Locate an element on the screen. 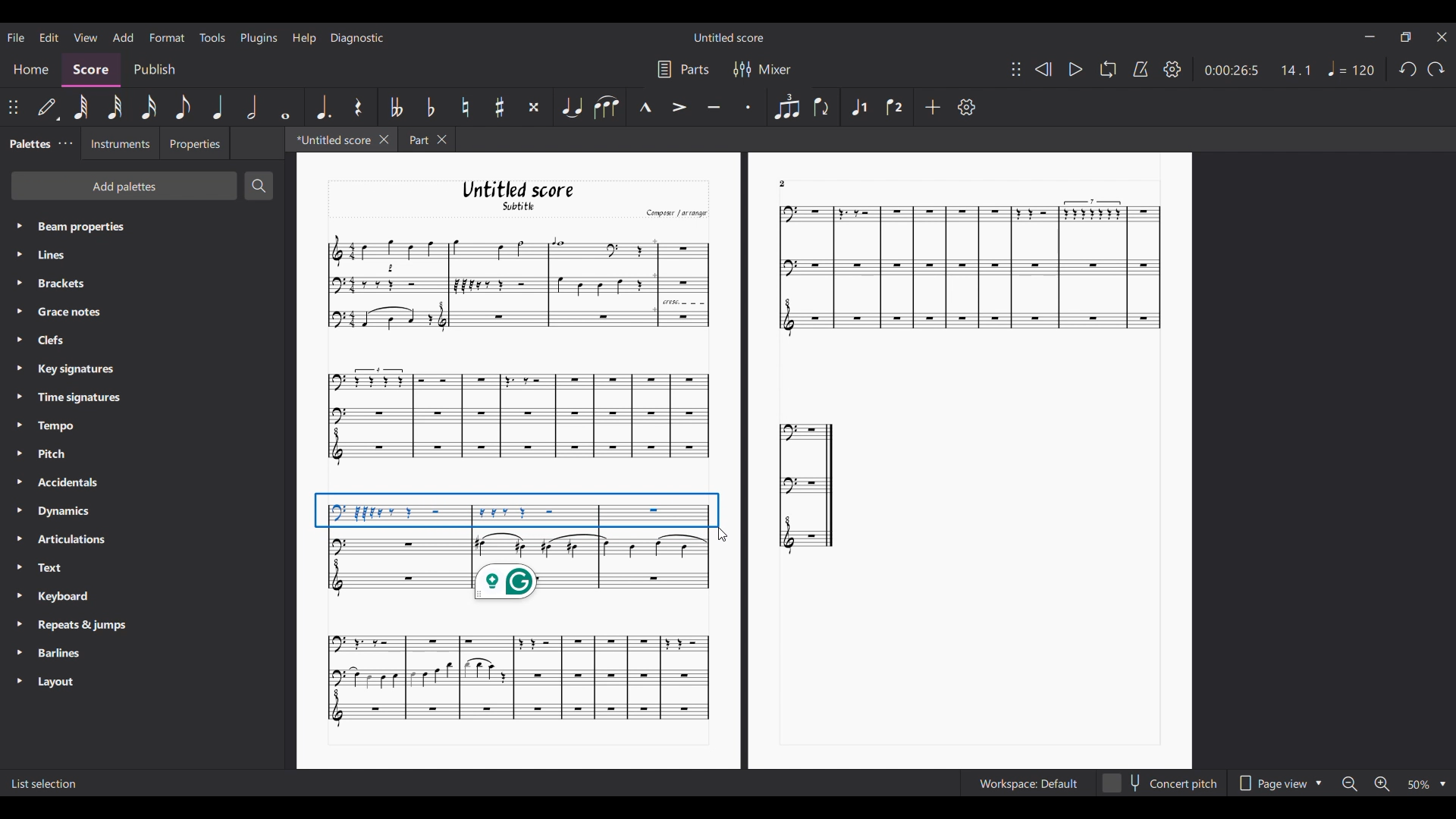 The image size is (1456, 819). 8th note is located at coordinates (183, 107).